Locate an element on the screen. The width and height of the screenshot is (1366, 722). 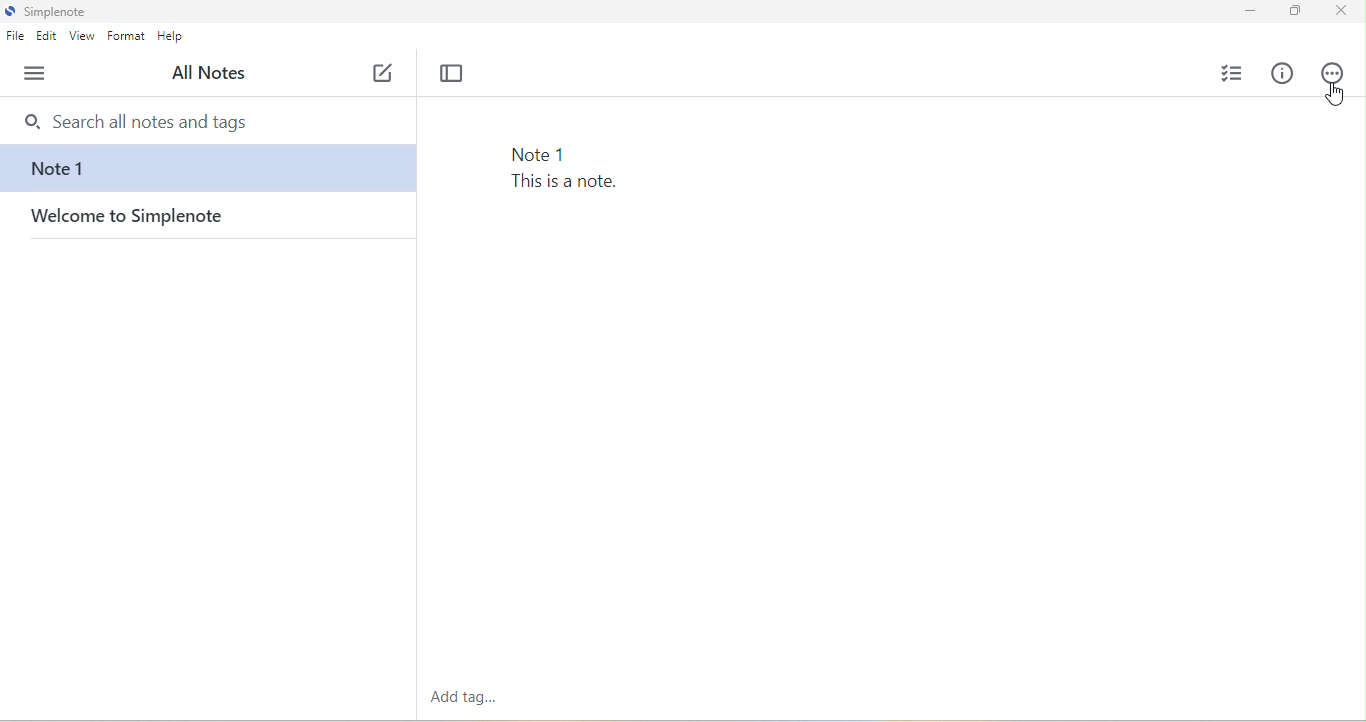
close is located at coordinates (1340, 12).